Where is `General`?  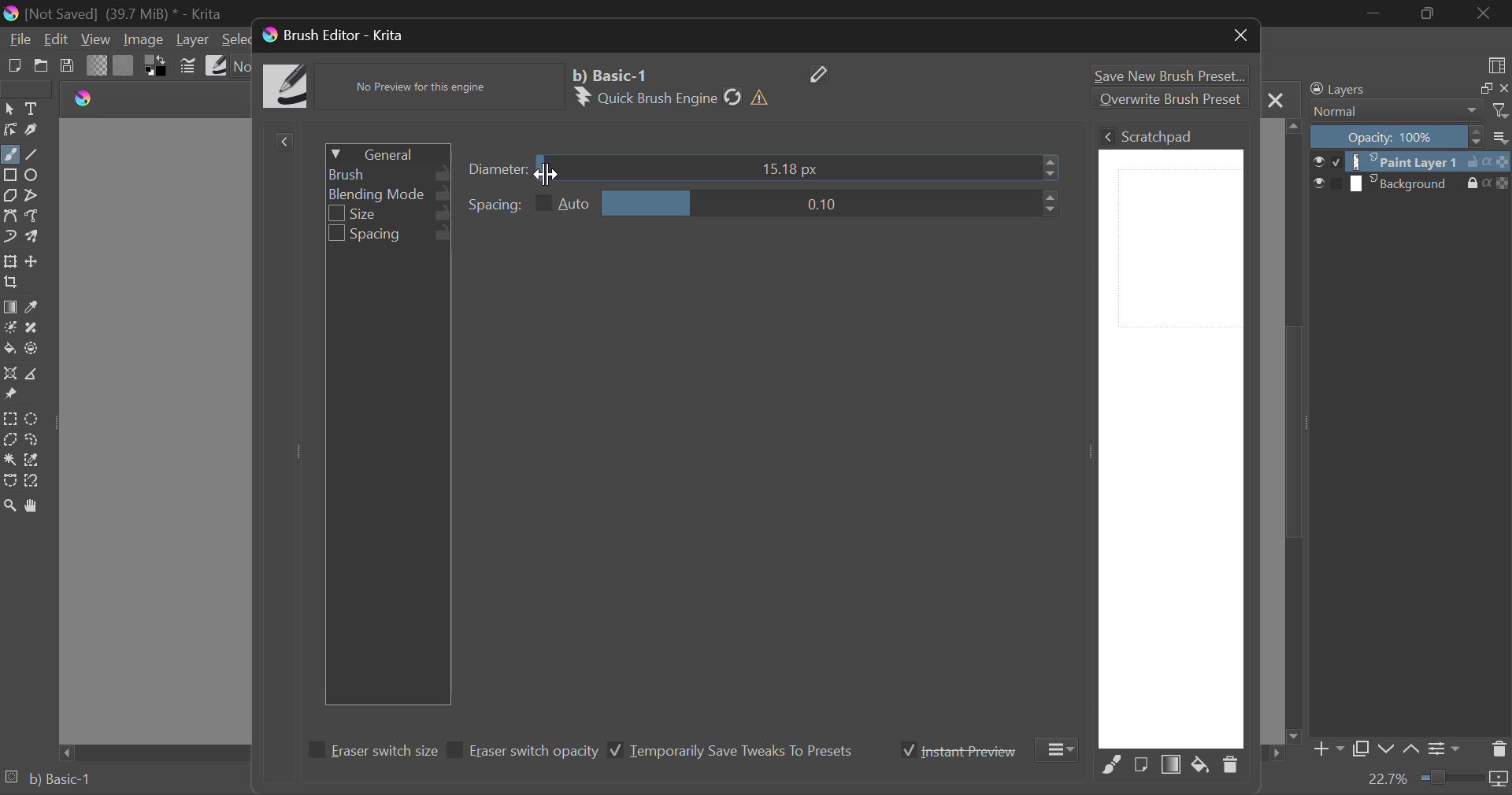 General is located at coordinates (387, 152).